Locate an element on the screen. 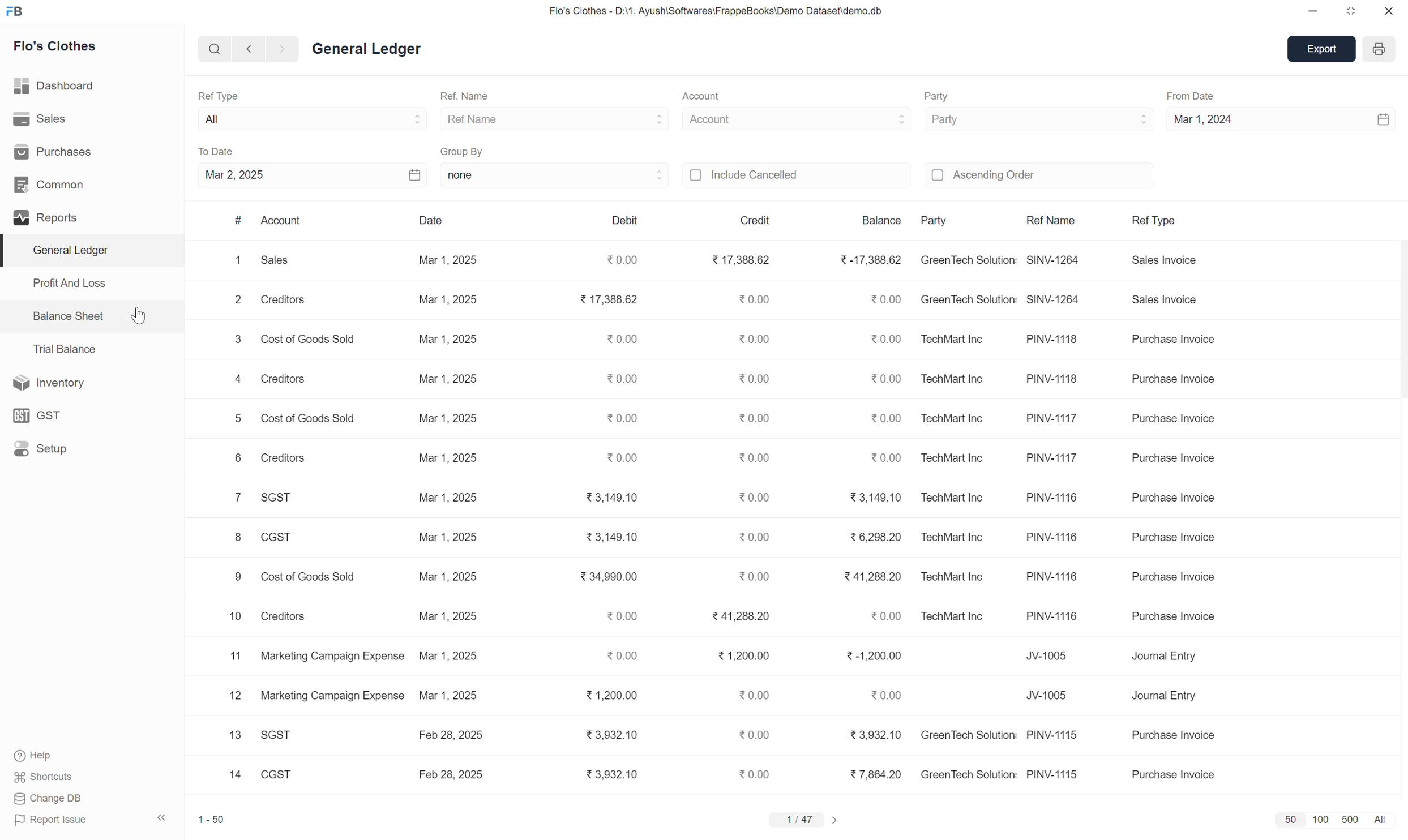 Image resolution: width=1408 pixels, height=840 pixels. 0.00 is located at coordinates (878, 338).